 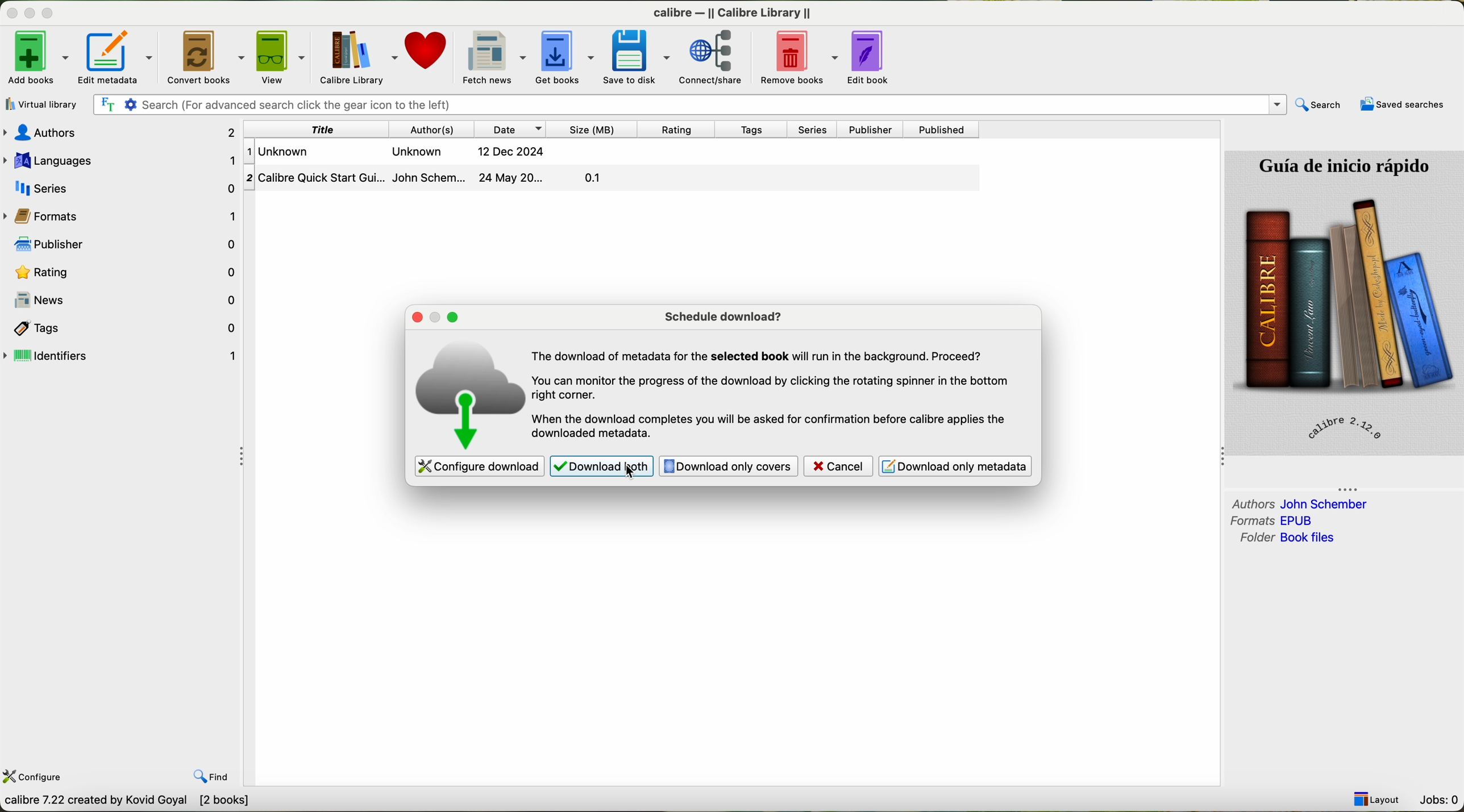 I want to click on shedule download? , so click(x=726, y=315).